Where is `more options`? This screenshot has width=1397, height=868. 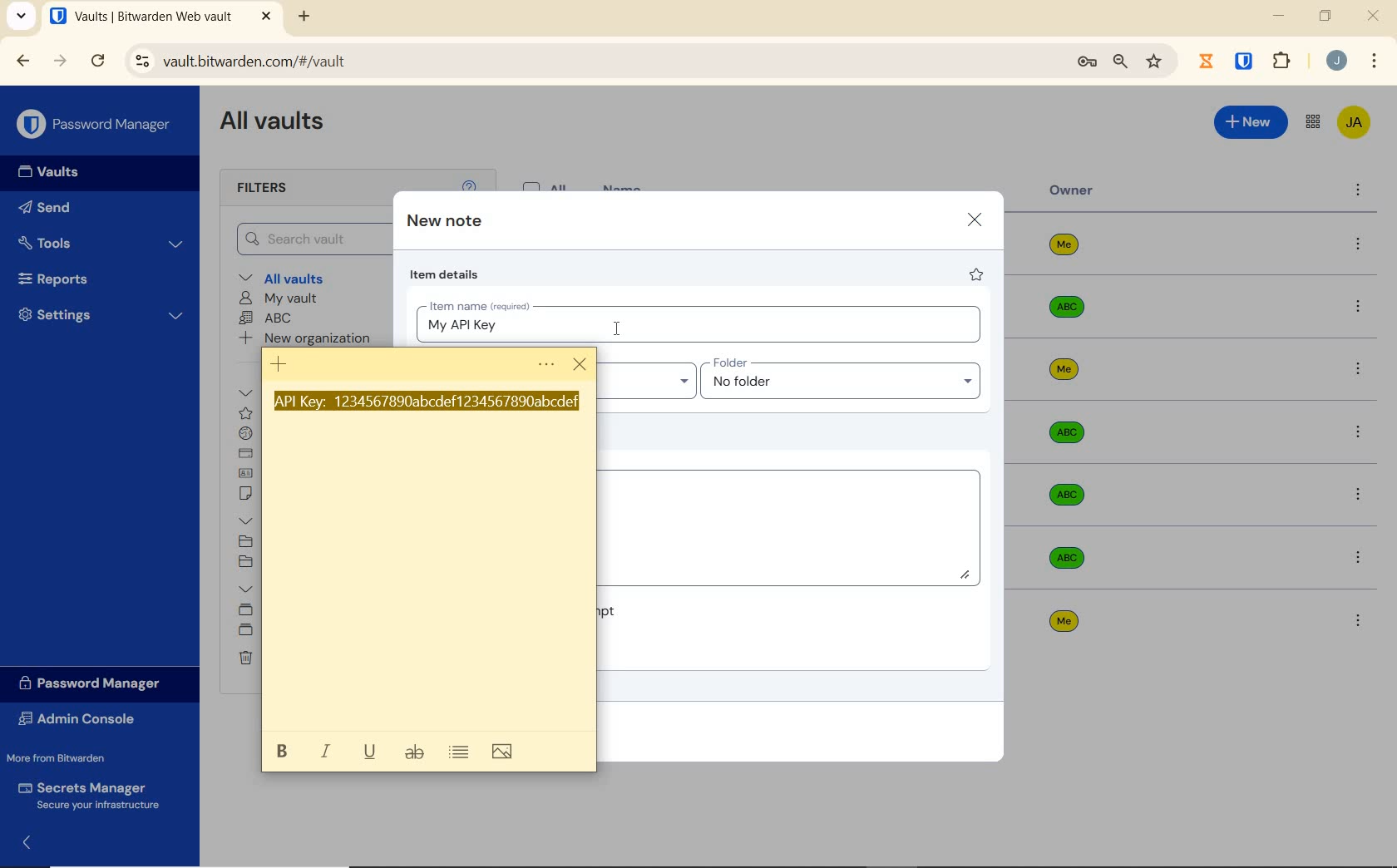
more options is located at coordinates (1357, 432).